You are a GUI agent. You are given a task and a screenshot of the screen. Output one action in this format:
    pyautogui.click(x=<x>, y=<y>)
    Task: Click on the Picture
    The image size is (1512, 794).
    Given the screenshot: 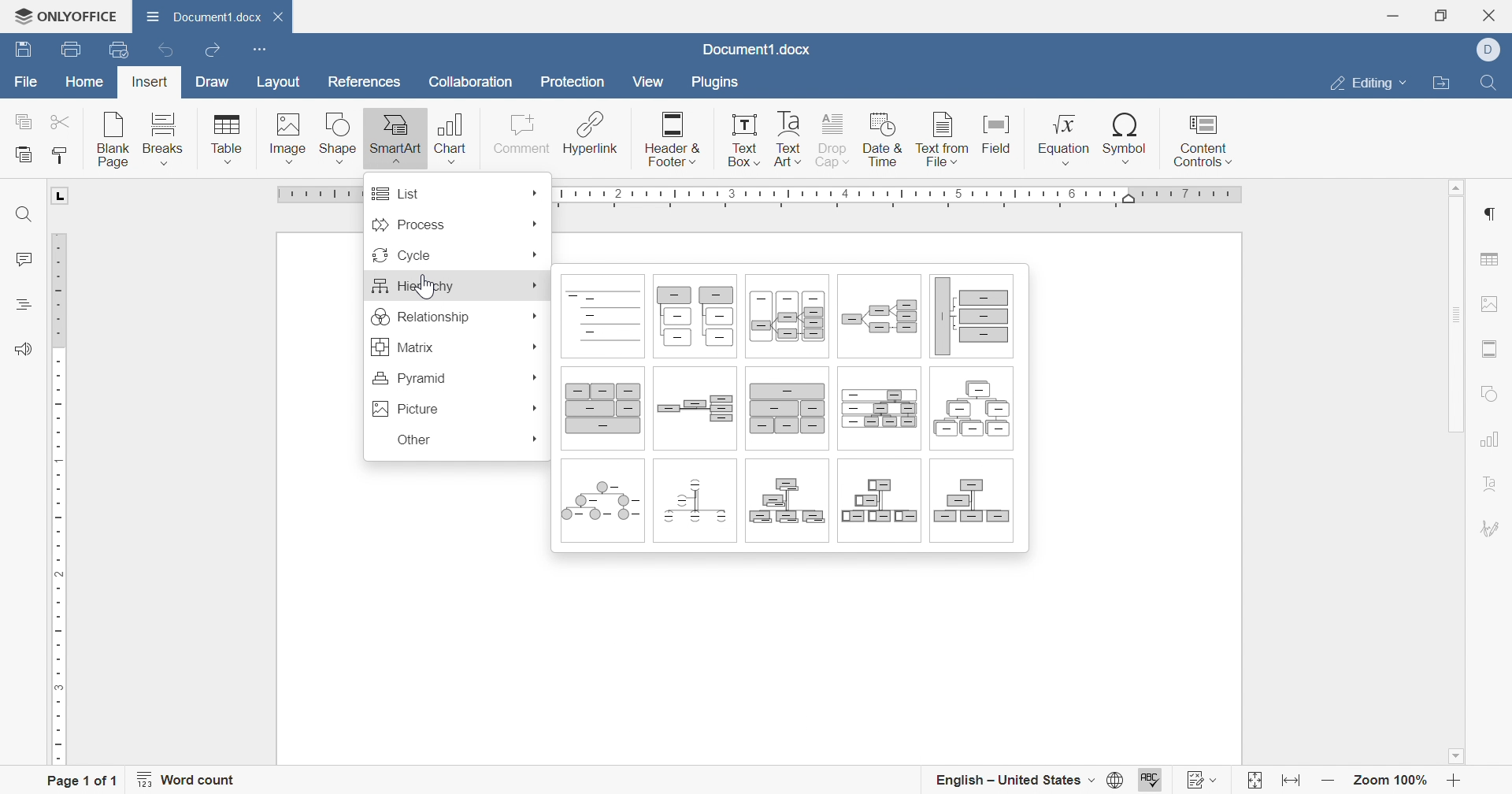 What is the action you would take?
    pyautogui.click(x=408, y=410)
    